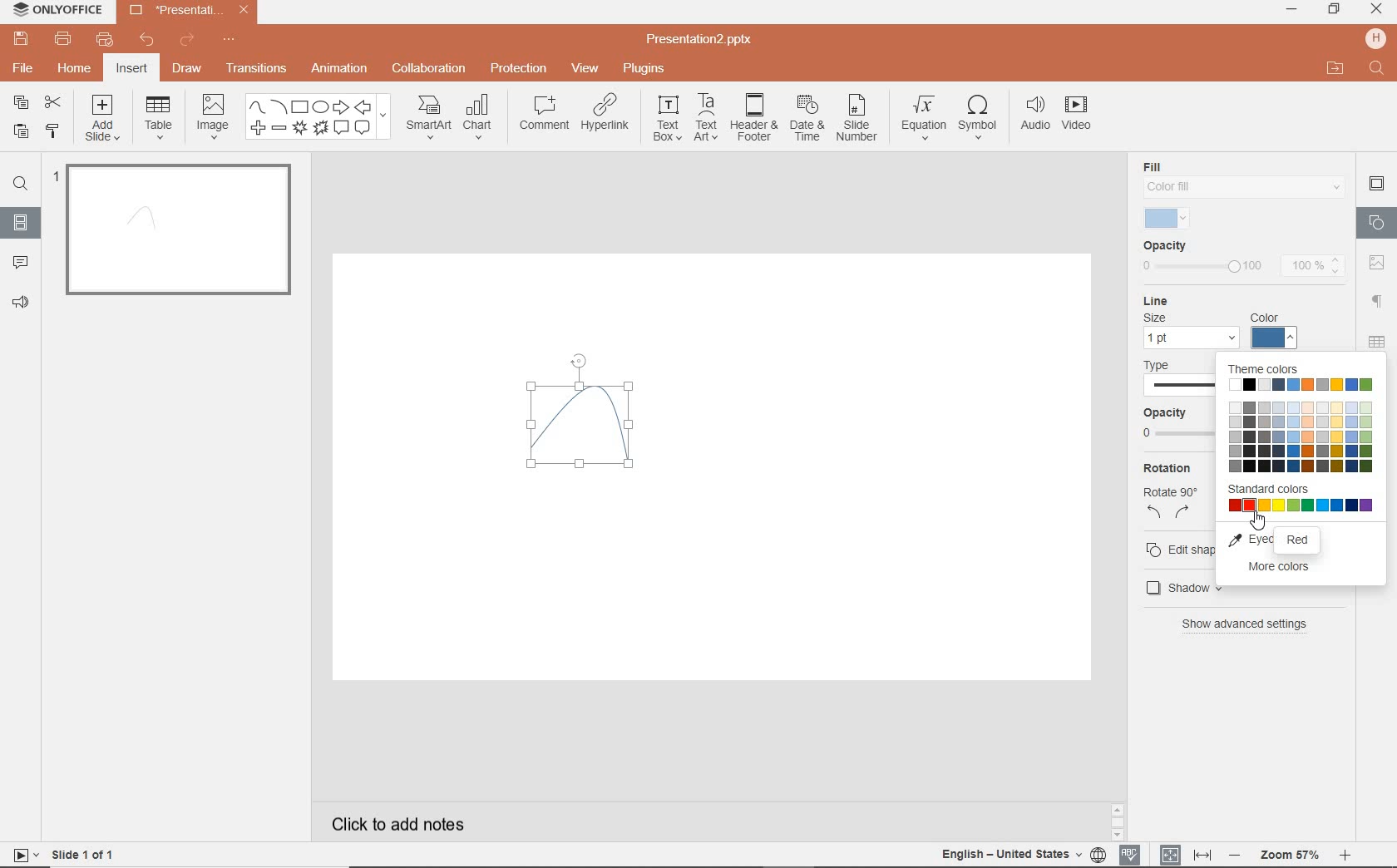 Image resolution: width=1397 pixels, height=868 pixels. I want to click on rotate left, so click(1148, 511).